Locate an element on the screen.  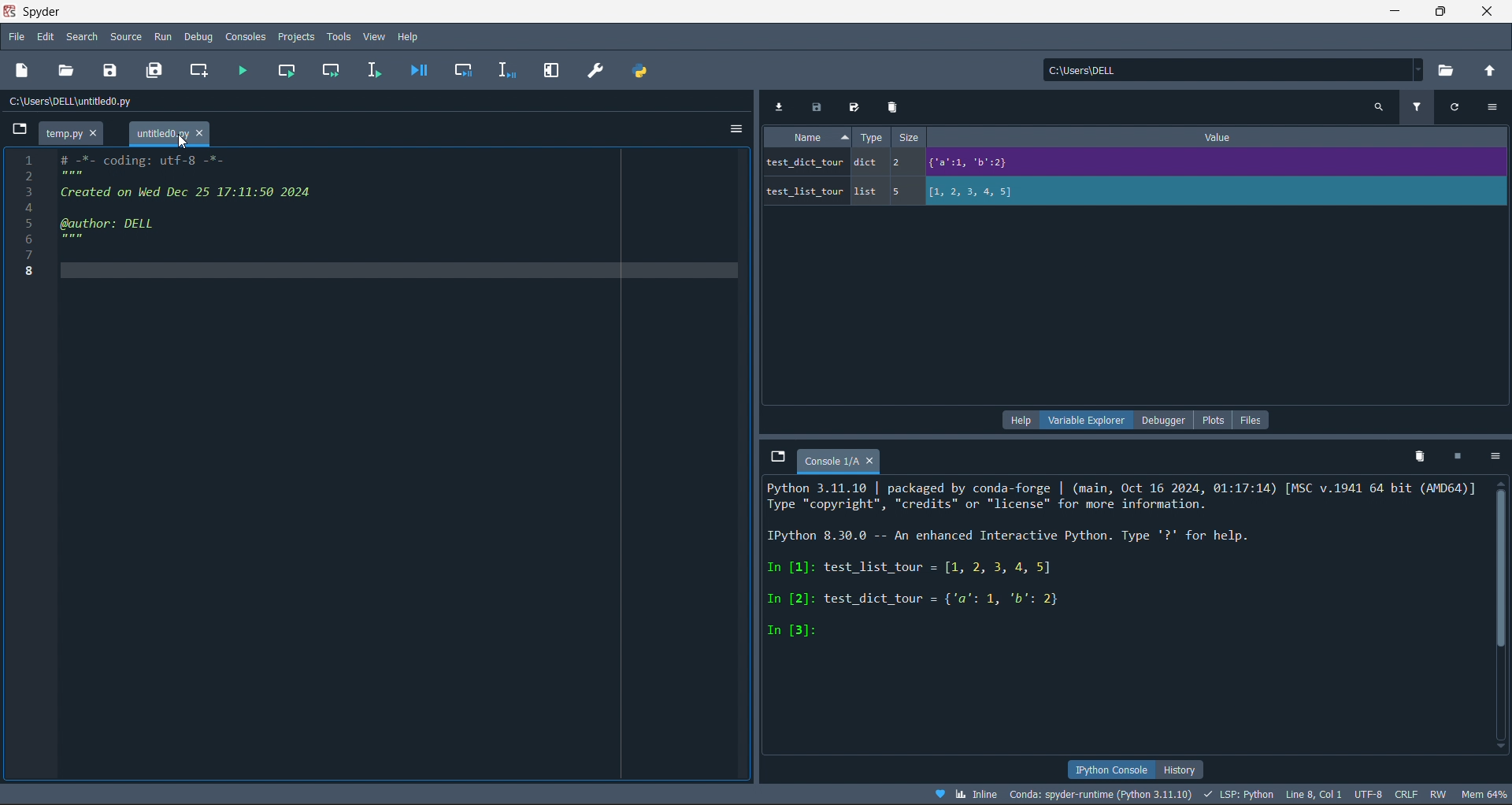
run file is located at coordinates (240, 68).